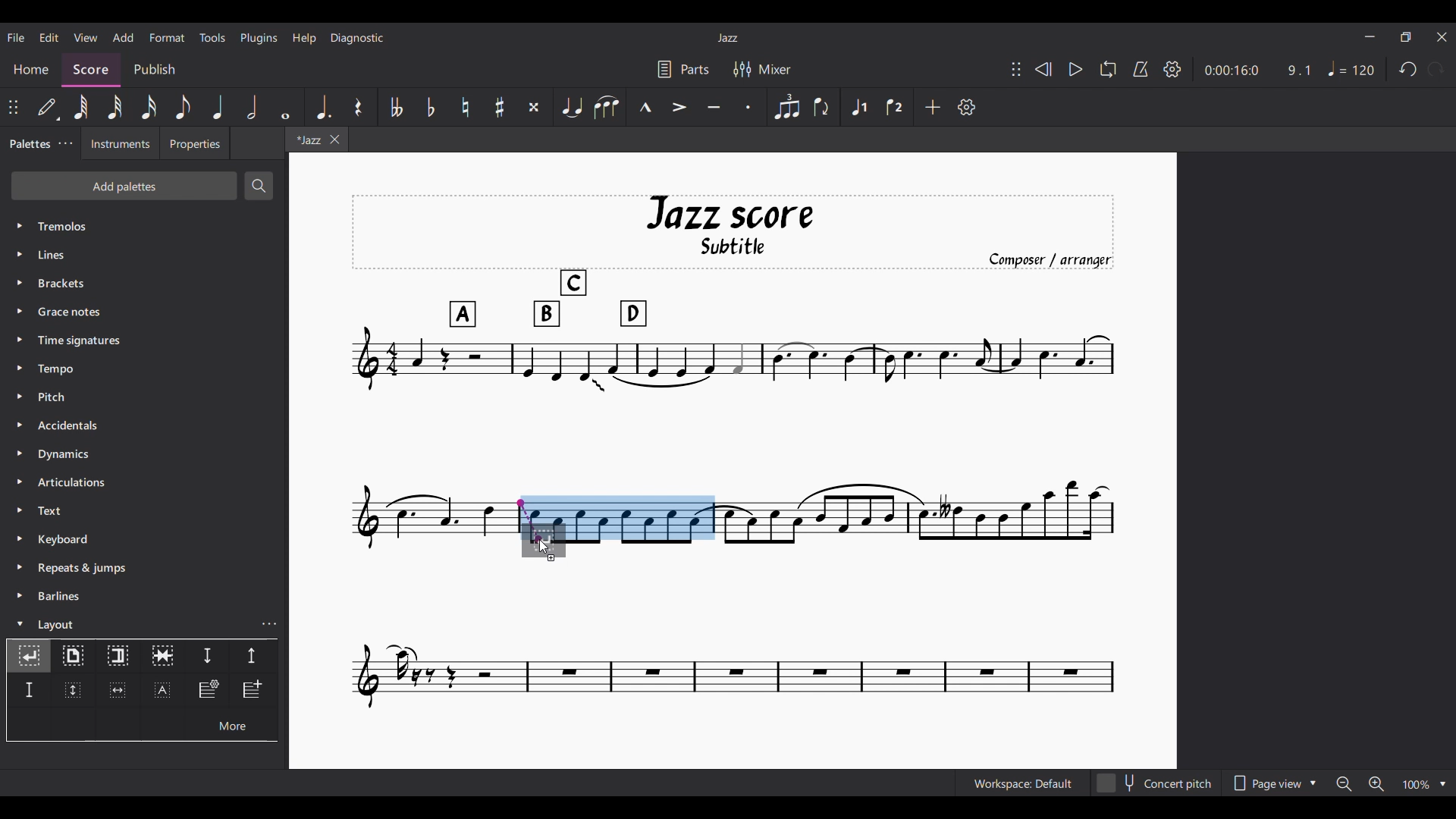 This screenshot has height=819, width=1456. I want to click on Marcato, so click(645, 107).